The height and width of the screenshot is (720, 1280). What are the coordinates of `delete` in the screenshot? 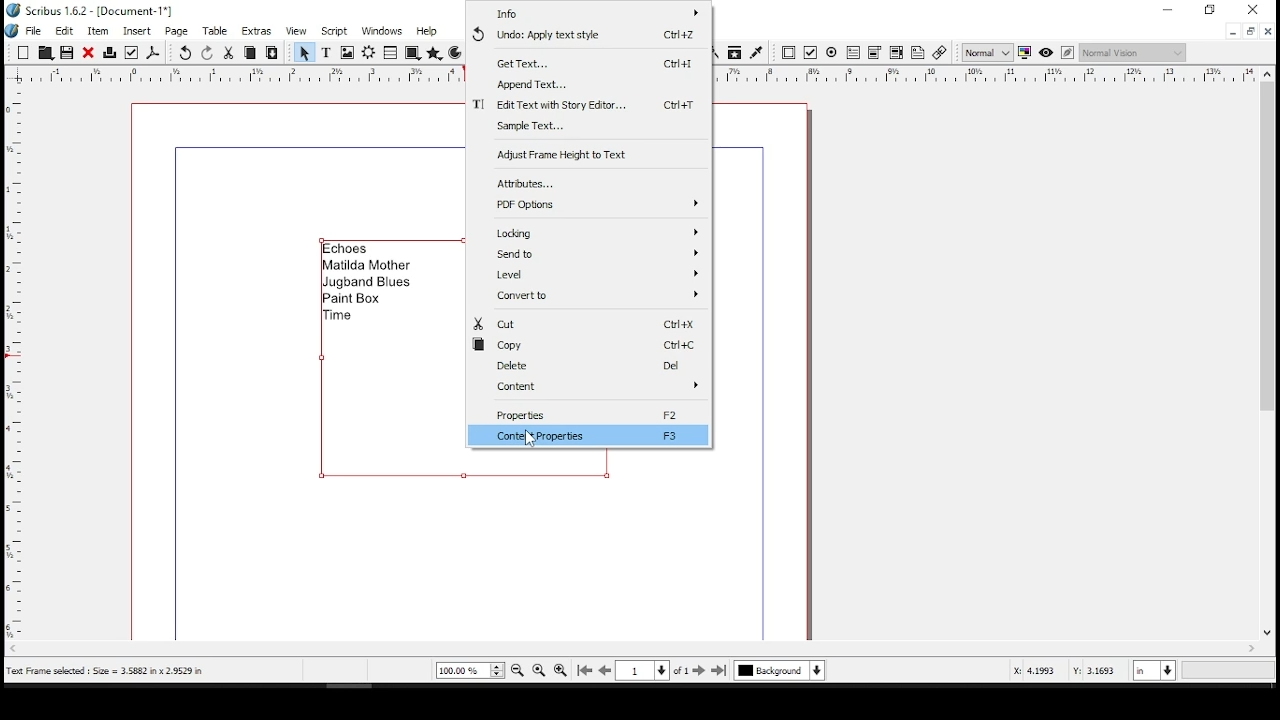 It's located at (591, 367).